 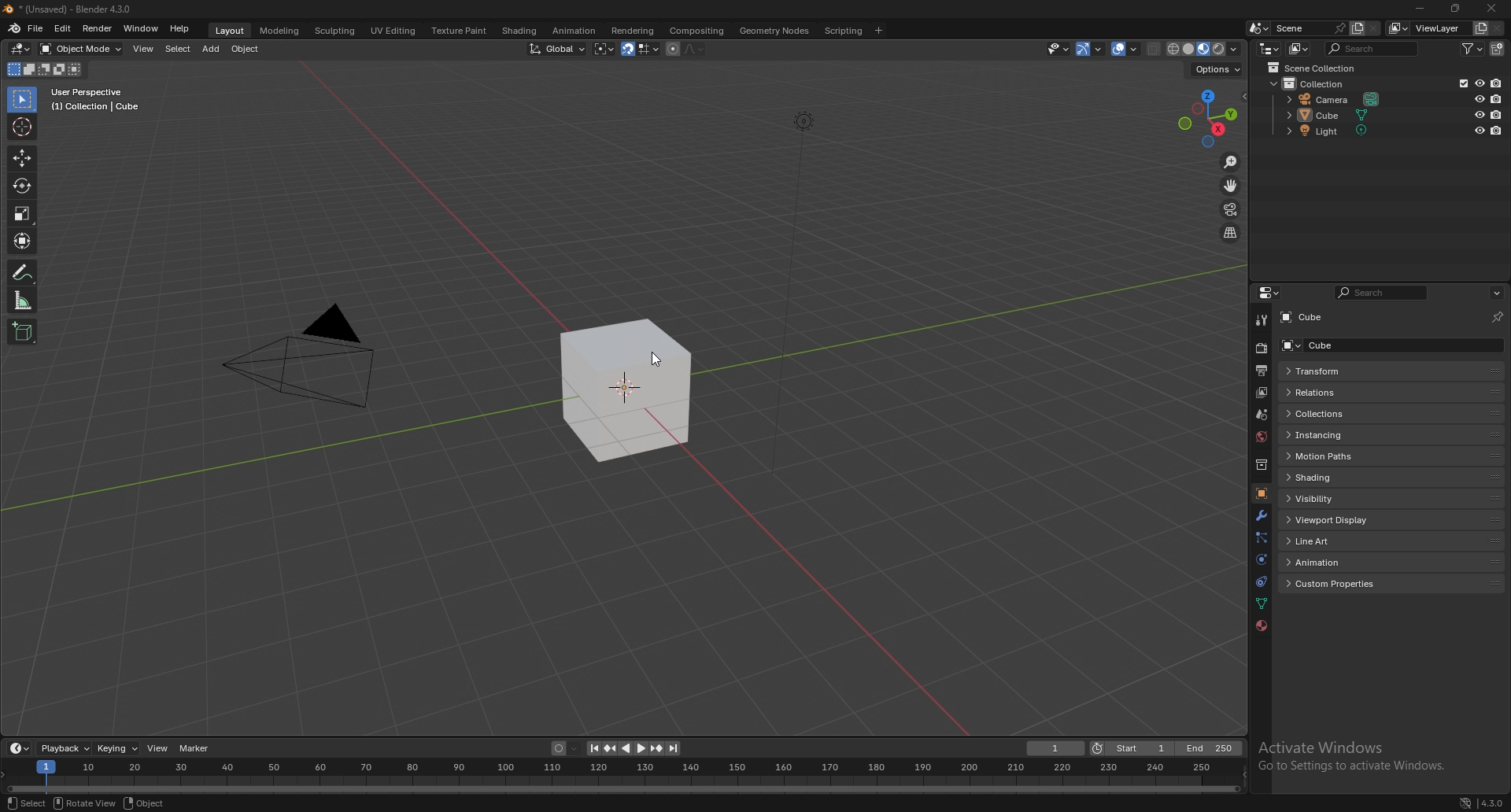 I want to click on geometry nodes, so click(x=774, y=30).